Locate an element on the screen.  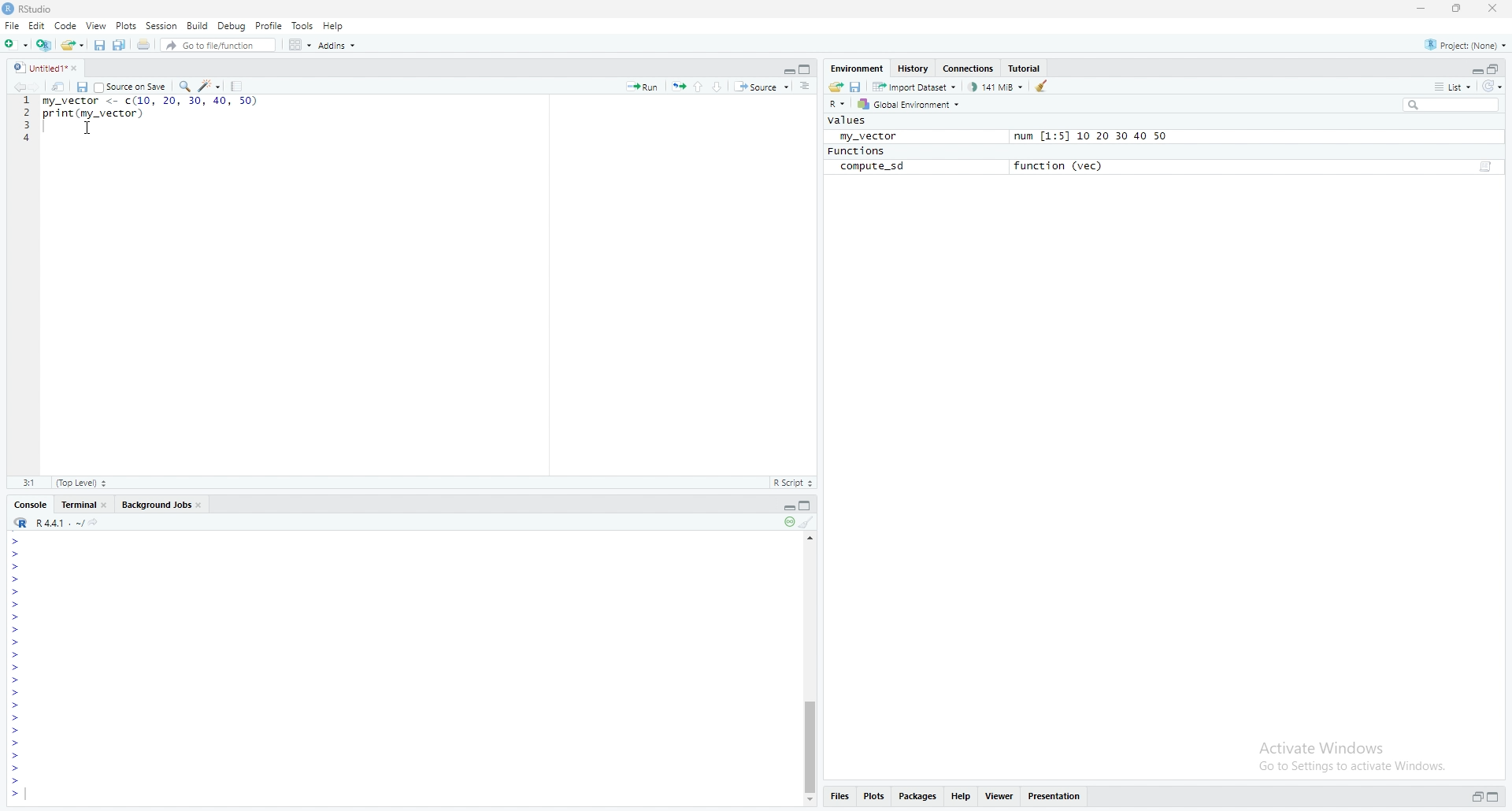
Workspace panes is located at coordinates (298, 44).